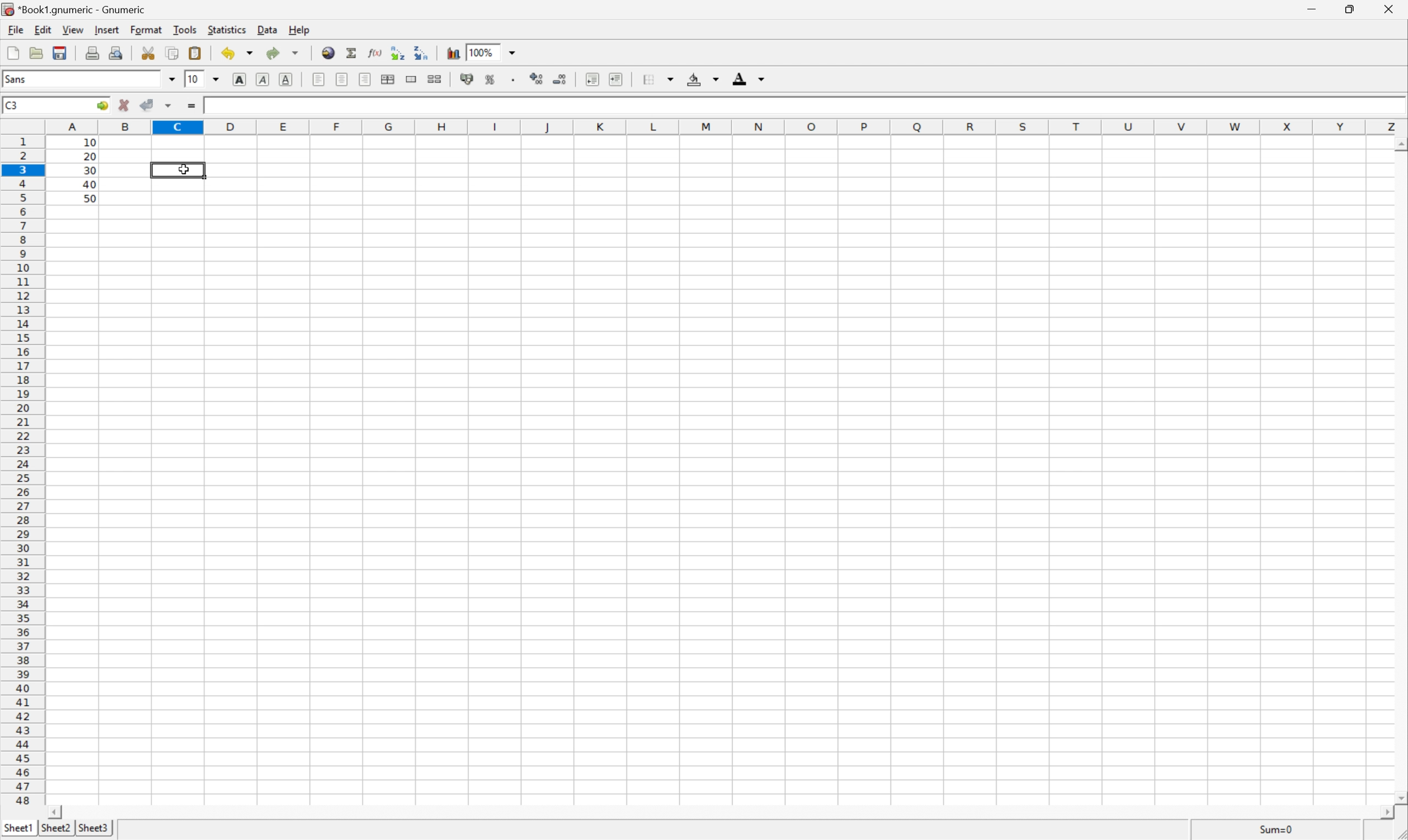 Image resolution: width=1408 pixels, height=840 pixels. I want to click on Sum=10, so click(1270, 829).